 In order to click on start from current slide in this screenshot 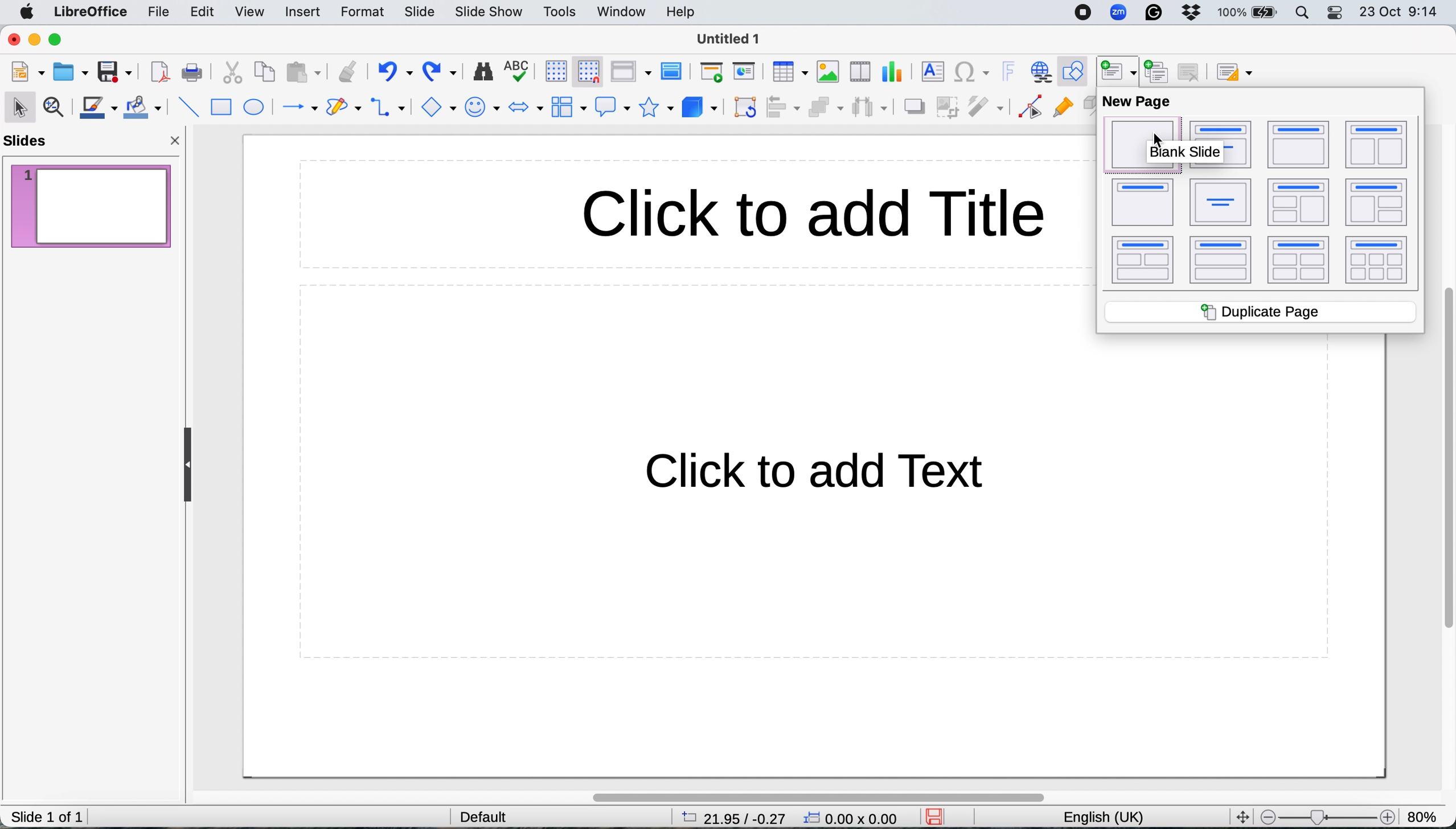, I will do `click(743, 73)`.